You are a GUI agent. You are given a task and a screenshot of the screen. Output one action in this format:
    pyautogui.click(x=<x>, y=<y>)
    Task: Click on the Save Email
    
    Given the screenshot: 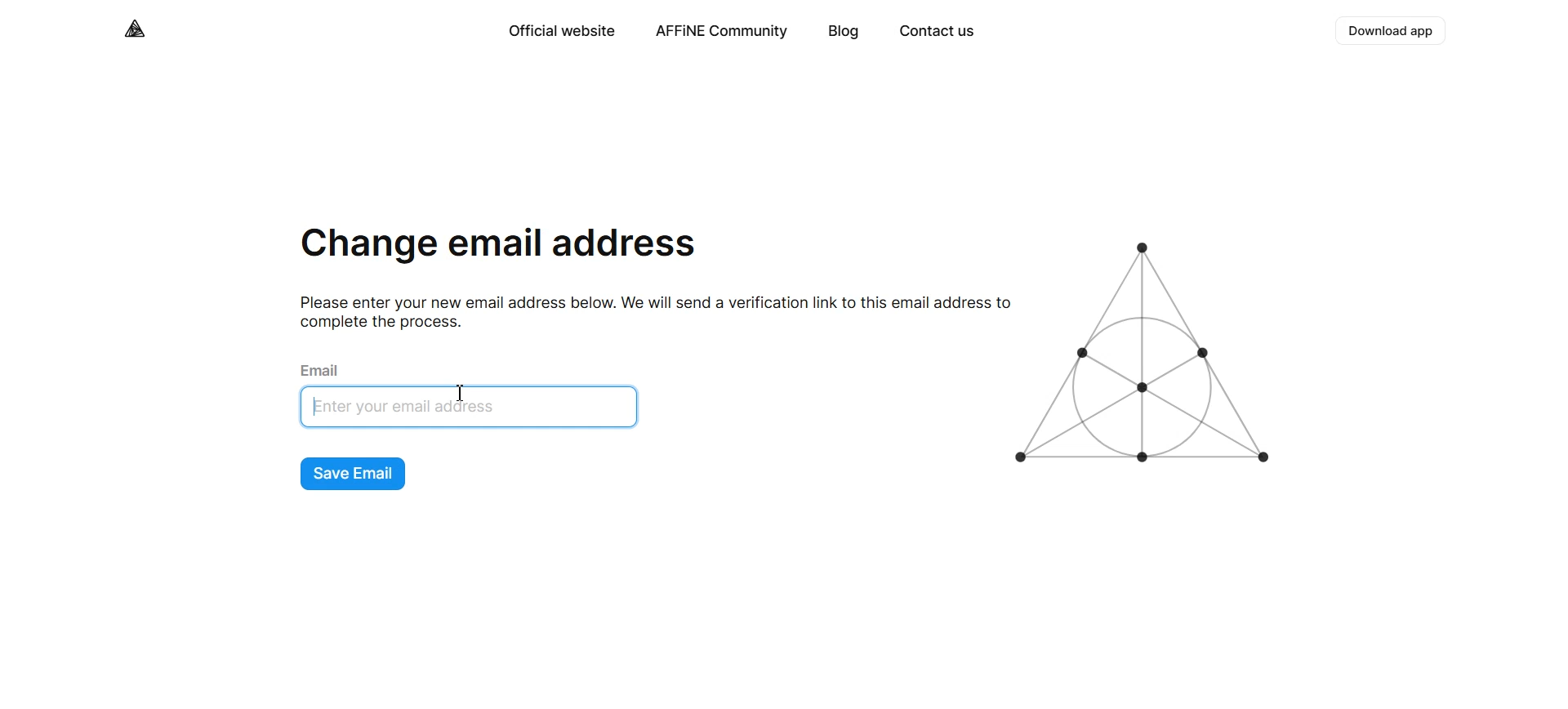 What is the action you would take?
    pyautogui.click(x=354, y=475)
    